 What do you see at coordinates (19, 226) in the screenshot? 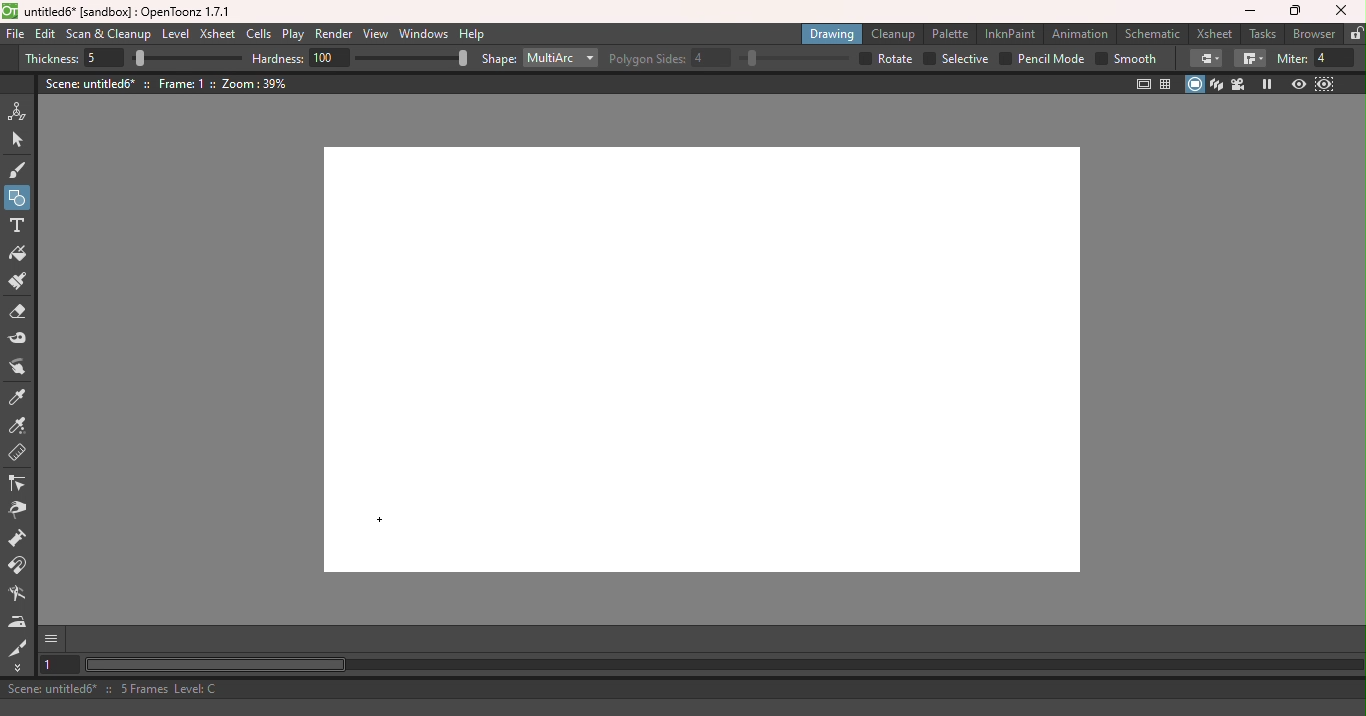
I see `Type tool` at bounding box center [19, 226].